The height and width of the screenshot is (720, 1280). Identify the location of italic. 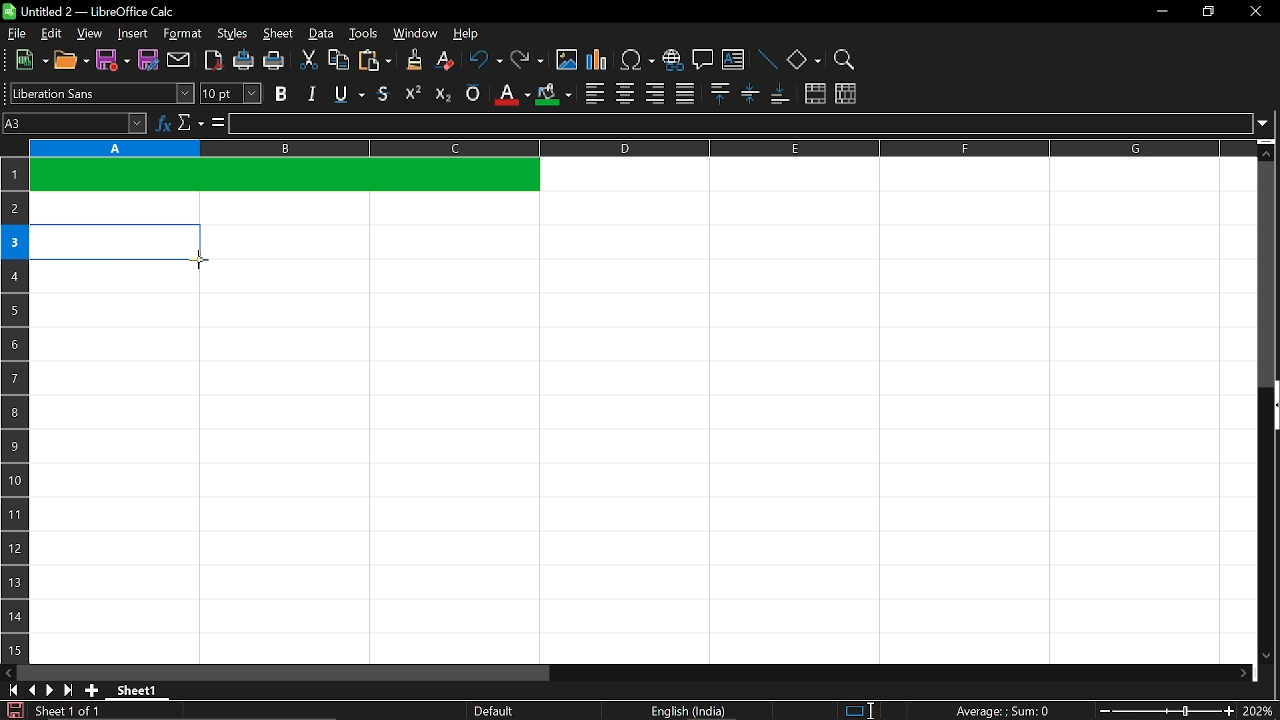
(311, 93).